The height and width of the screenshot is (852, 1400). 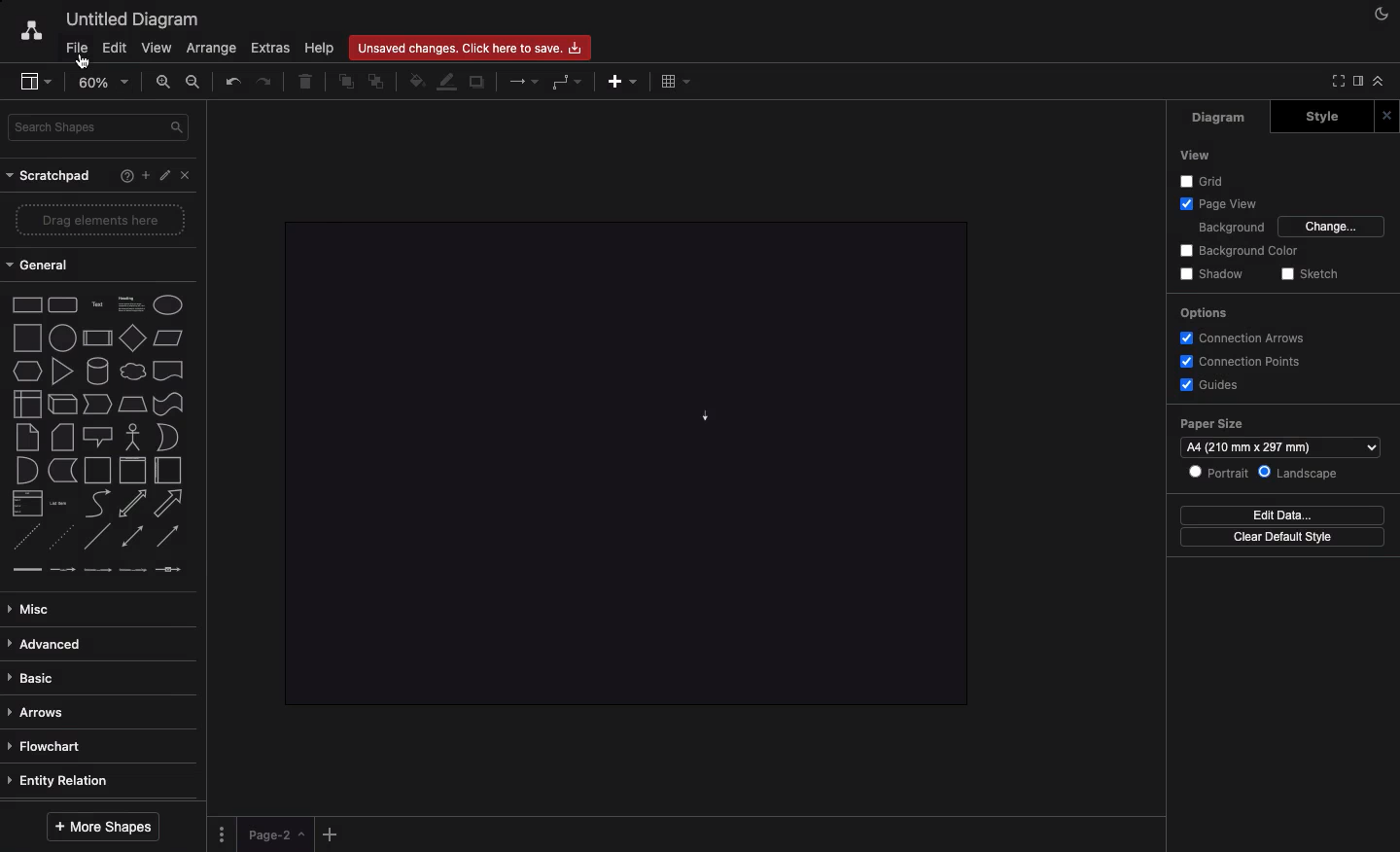 What do you see at coordinates (103, 81) in the screenshot?
I see `Zoom` at bounding box center [103, 81].